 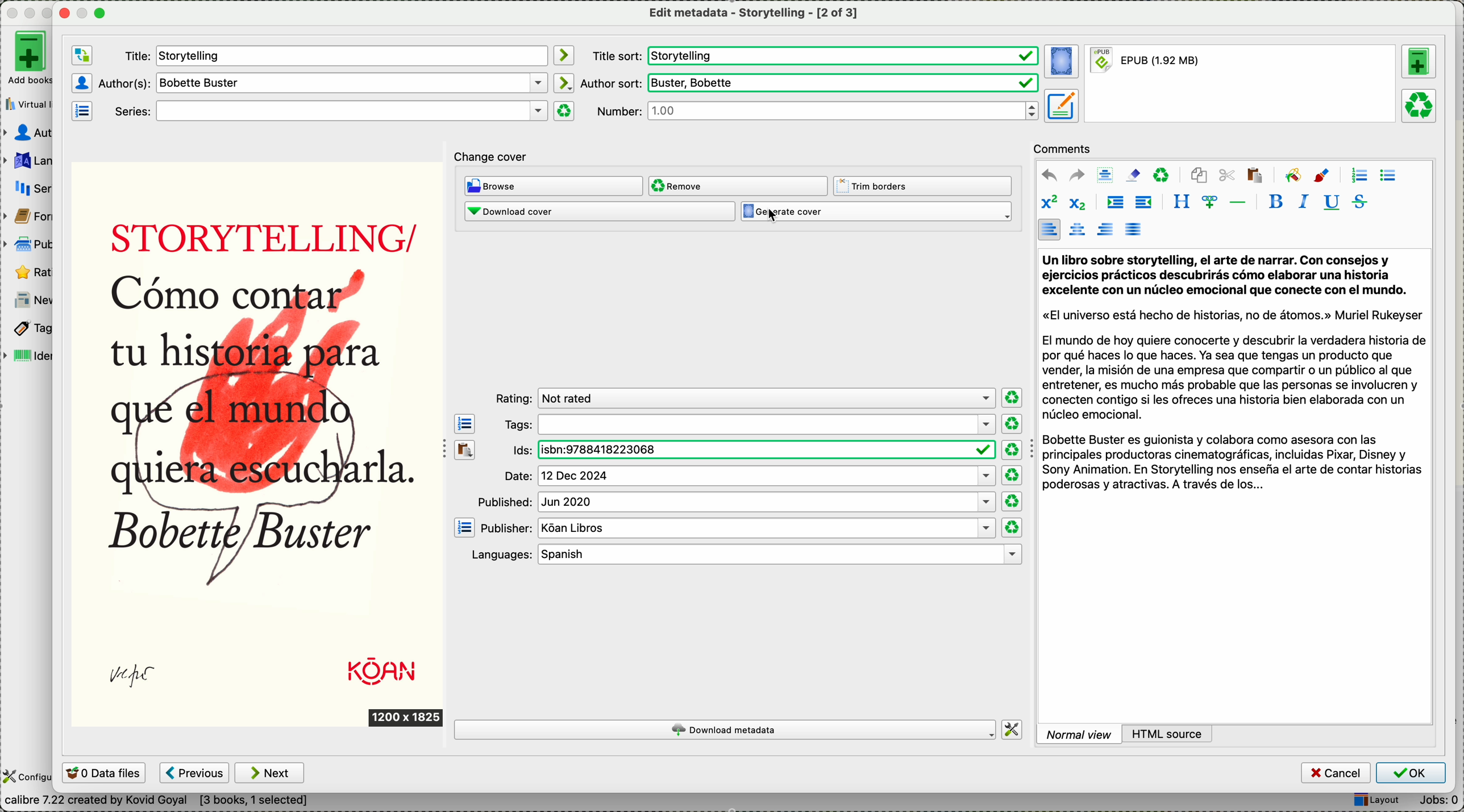 I want to click on OK, so click(x=1411, y=773).